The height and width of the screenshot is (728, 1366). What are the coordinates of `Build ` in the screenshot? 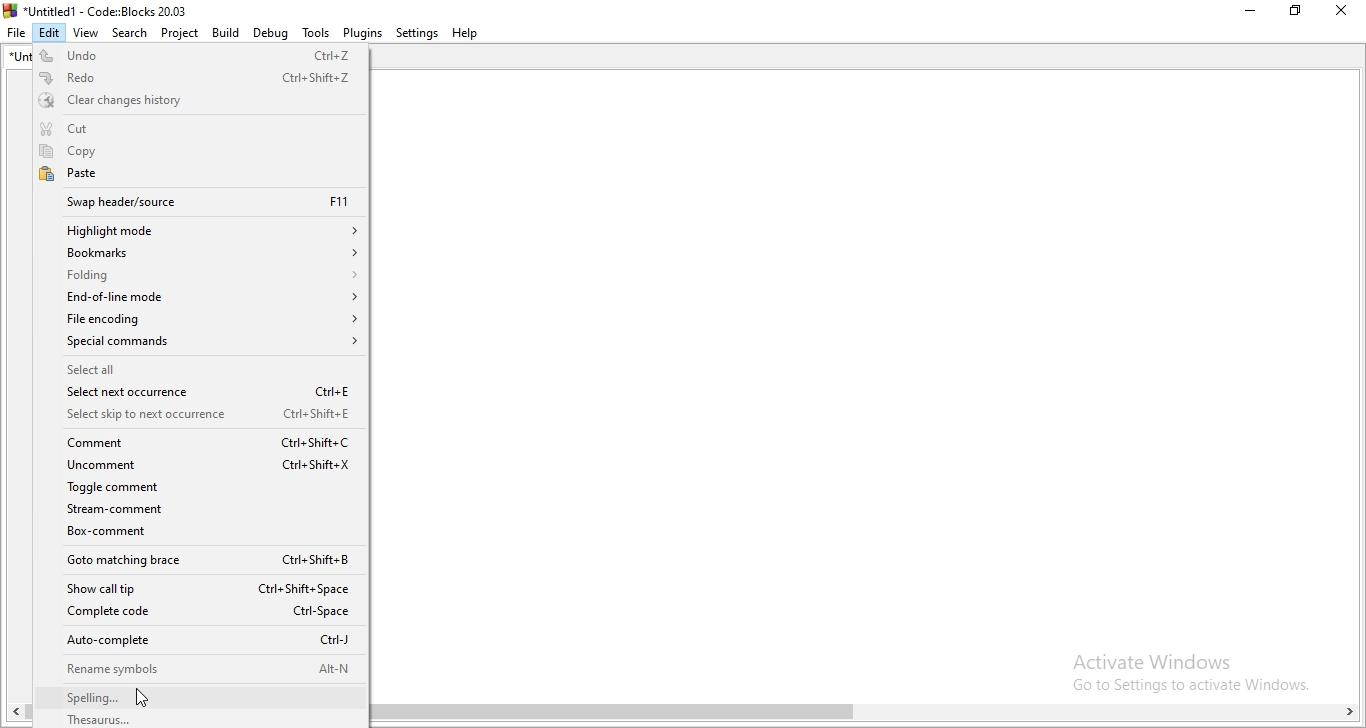 It's located at (223, 32).